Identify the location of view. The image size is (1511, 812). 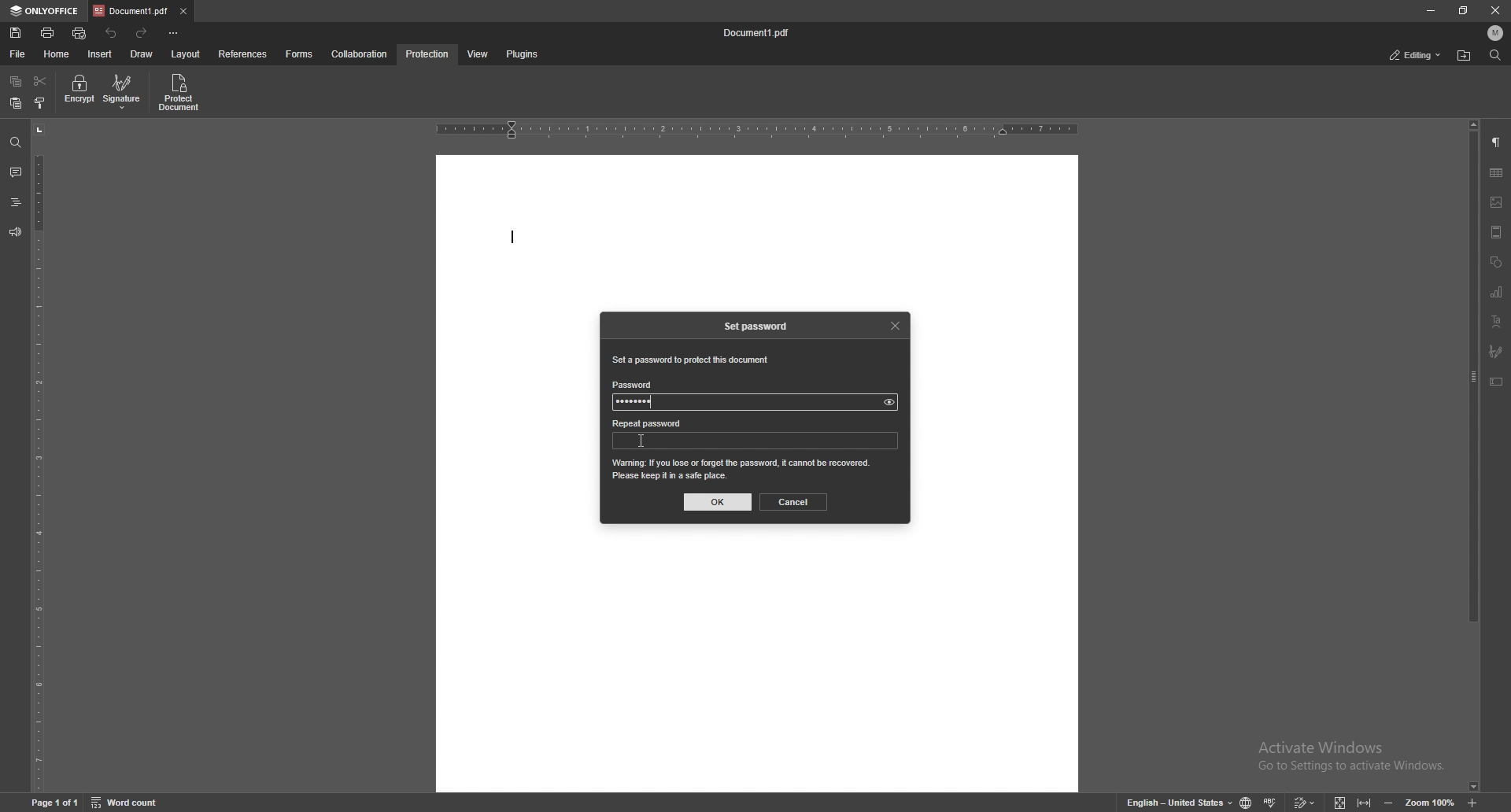
(478, 54).